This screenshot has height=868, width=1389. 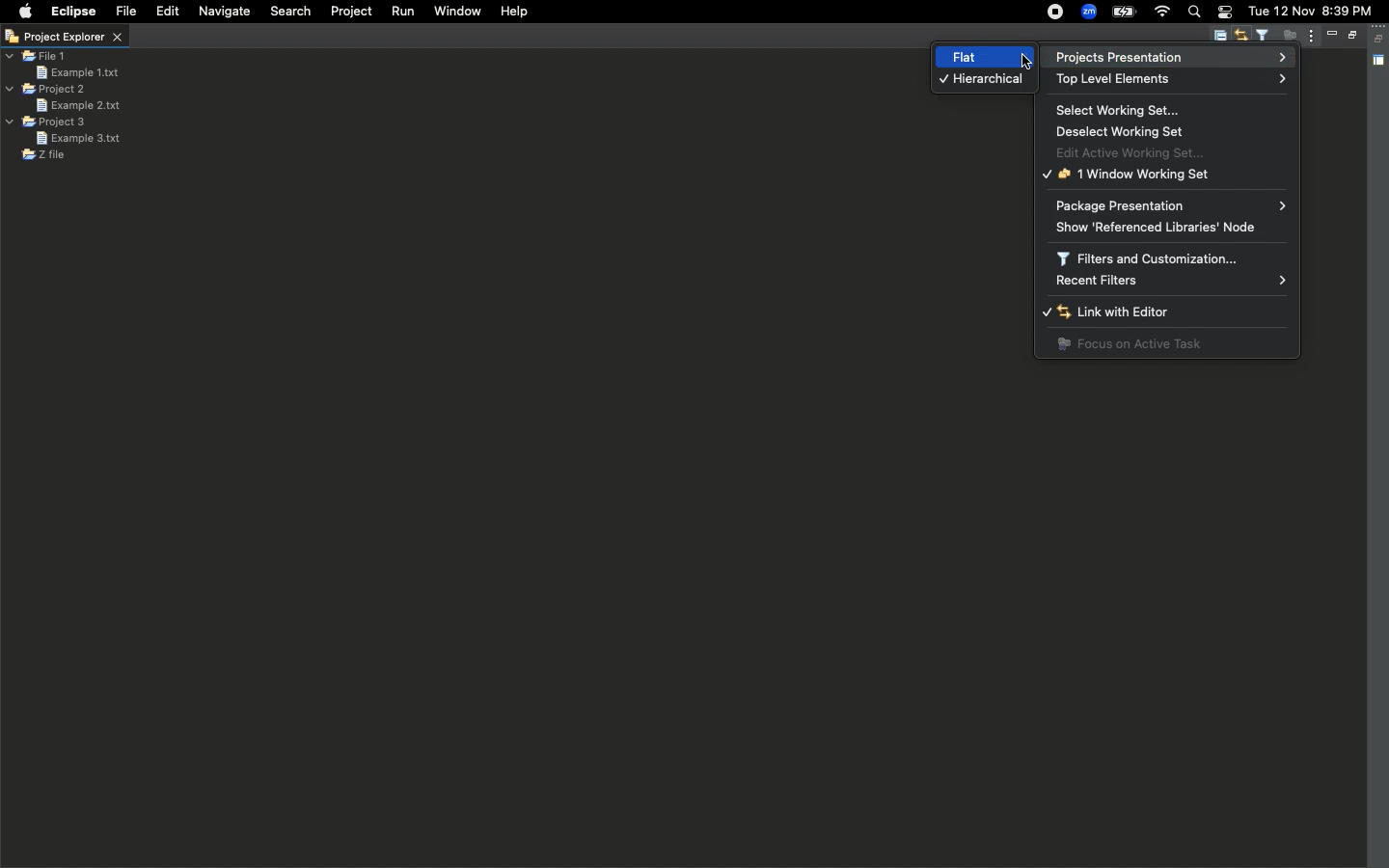 I want to click on Project, so click(x=353, y=13).